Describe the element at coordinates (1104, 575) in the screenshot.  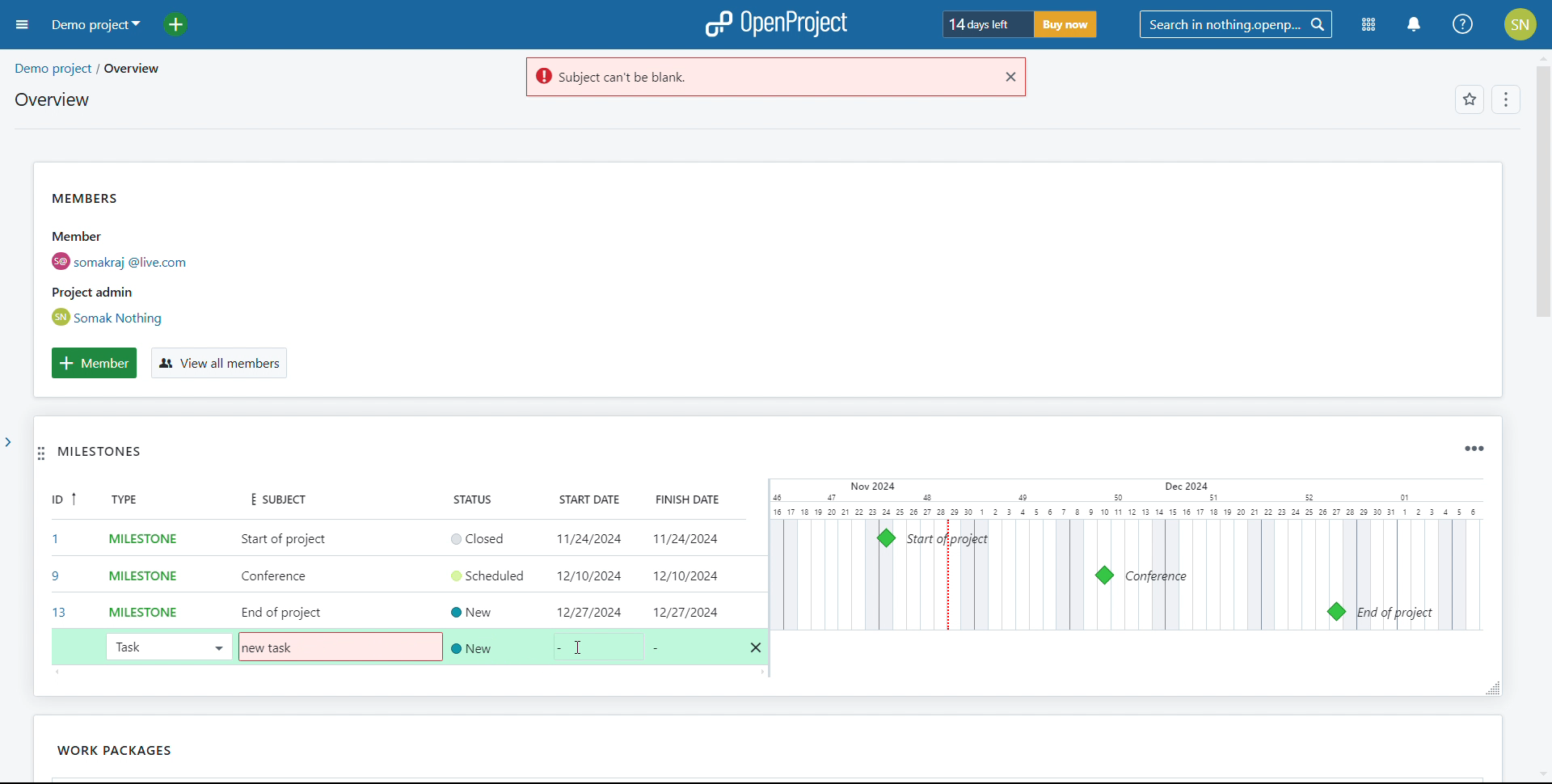
I see `milestone 9` at that location.